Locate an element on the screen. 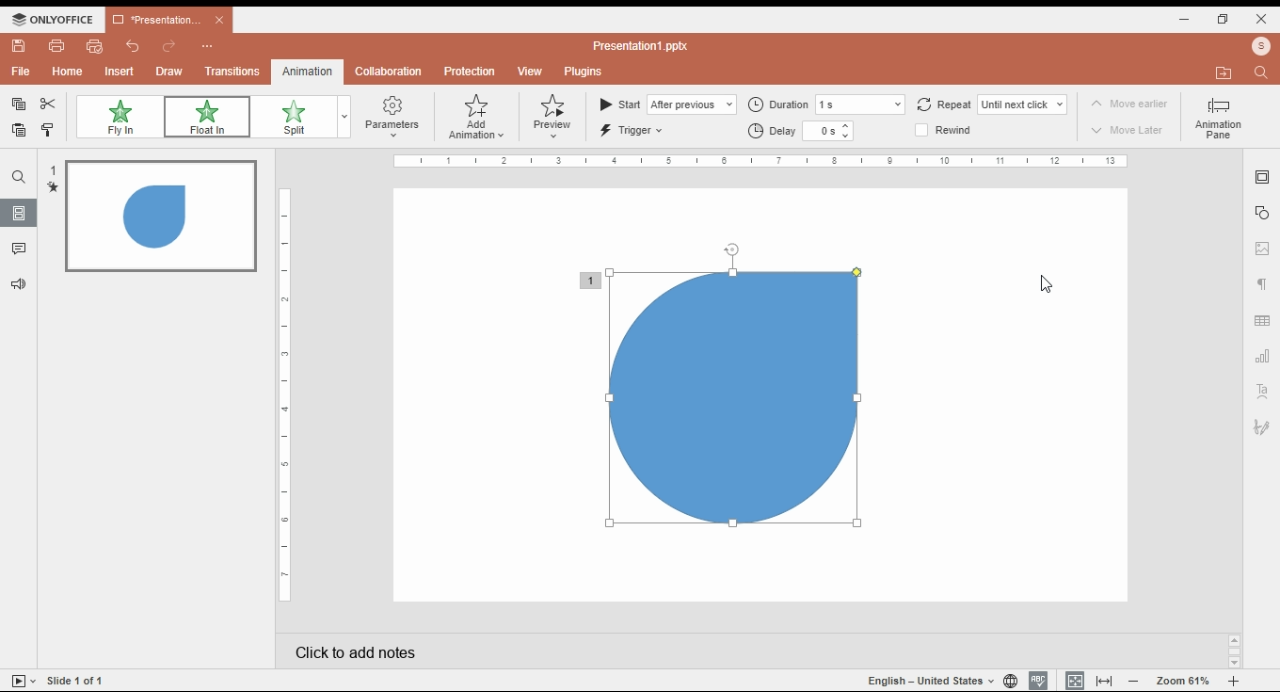 This screenshot has width=1280, height=692. move later is located at coordinates (1130, 132).